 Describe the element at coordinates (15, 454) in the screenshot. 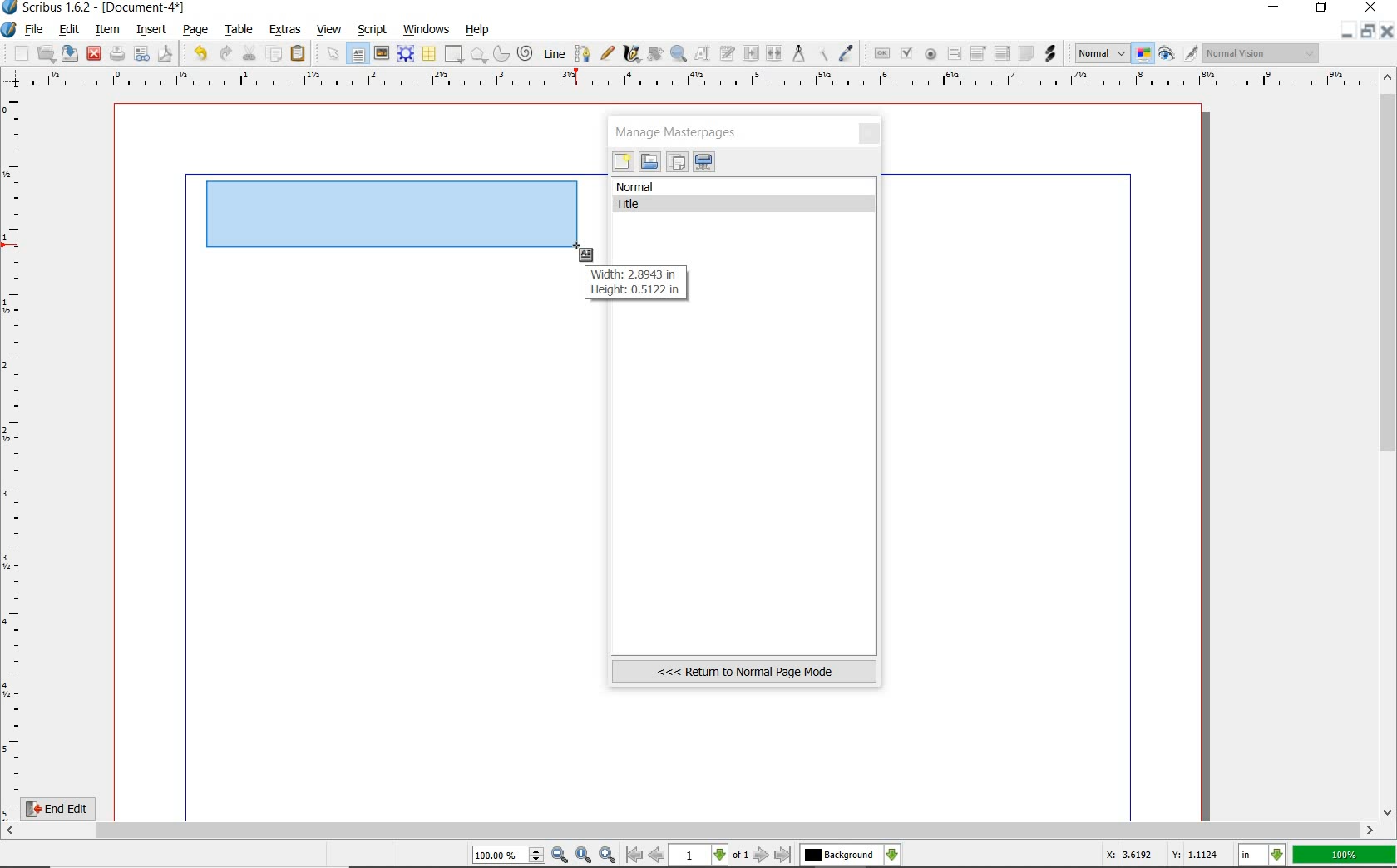

I see `ruler` at that location.